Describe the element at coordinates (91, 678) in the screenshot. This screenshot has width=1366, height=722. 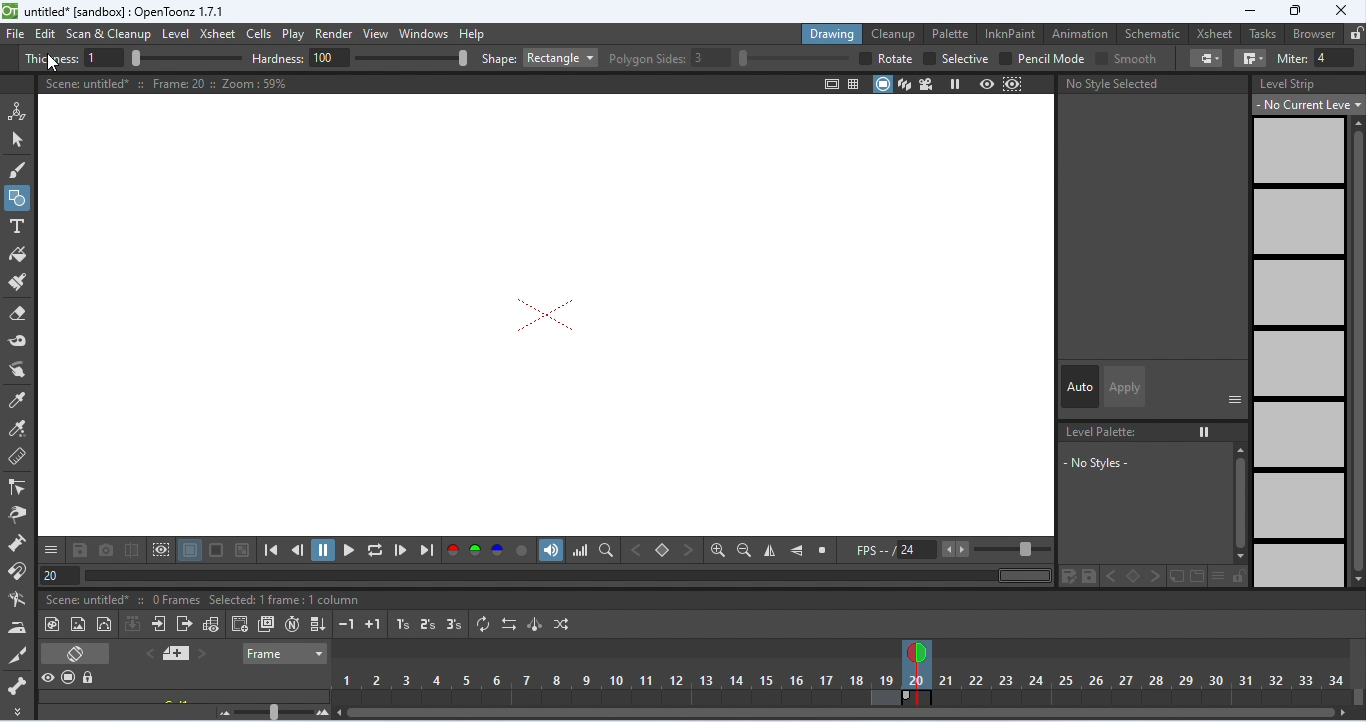
I see `lock toggle all` at that location.